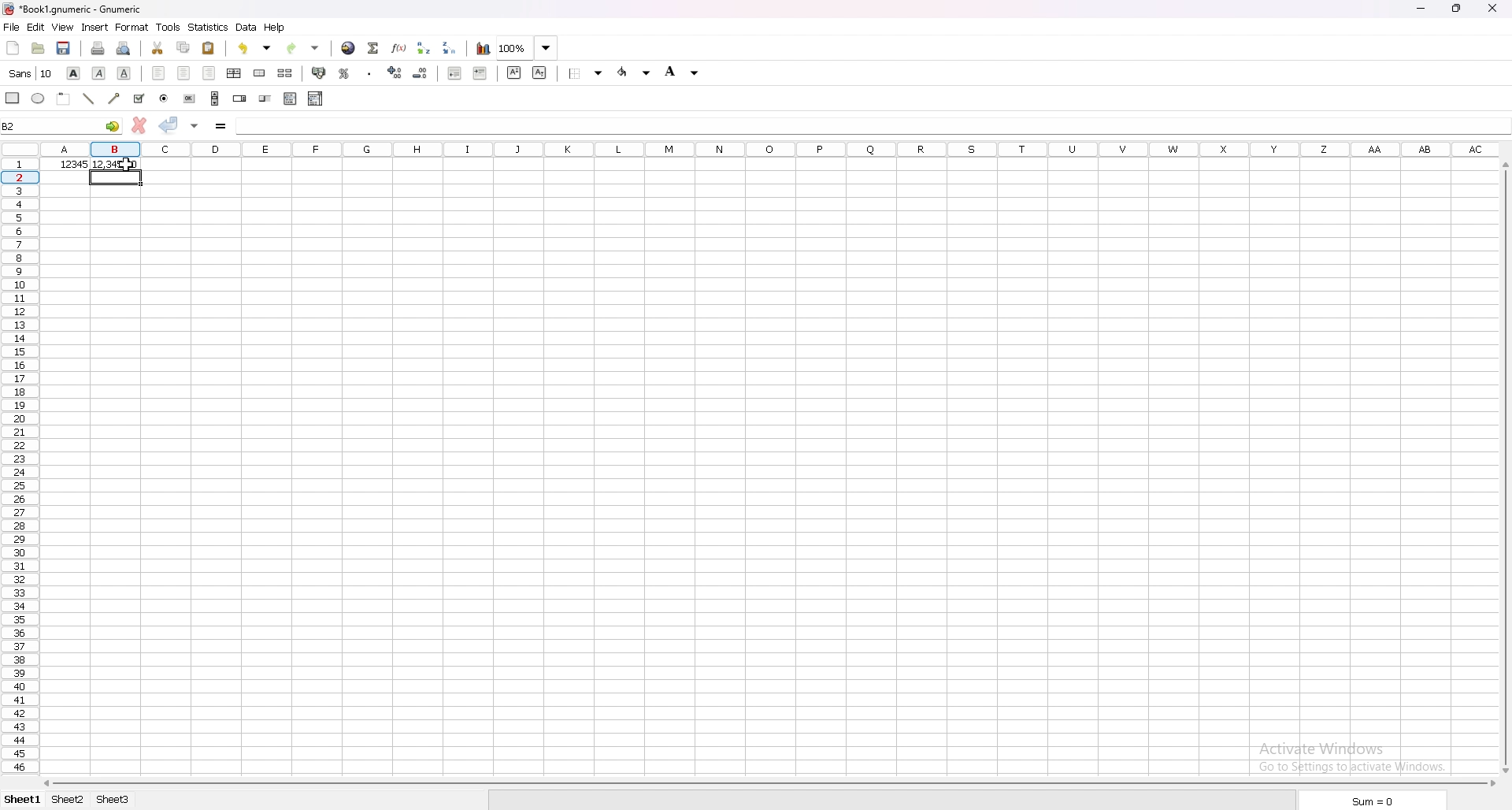 The image size is (1512, 810). I want to click on rows, so click(14, 464).